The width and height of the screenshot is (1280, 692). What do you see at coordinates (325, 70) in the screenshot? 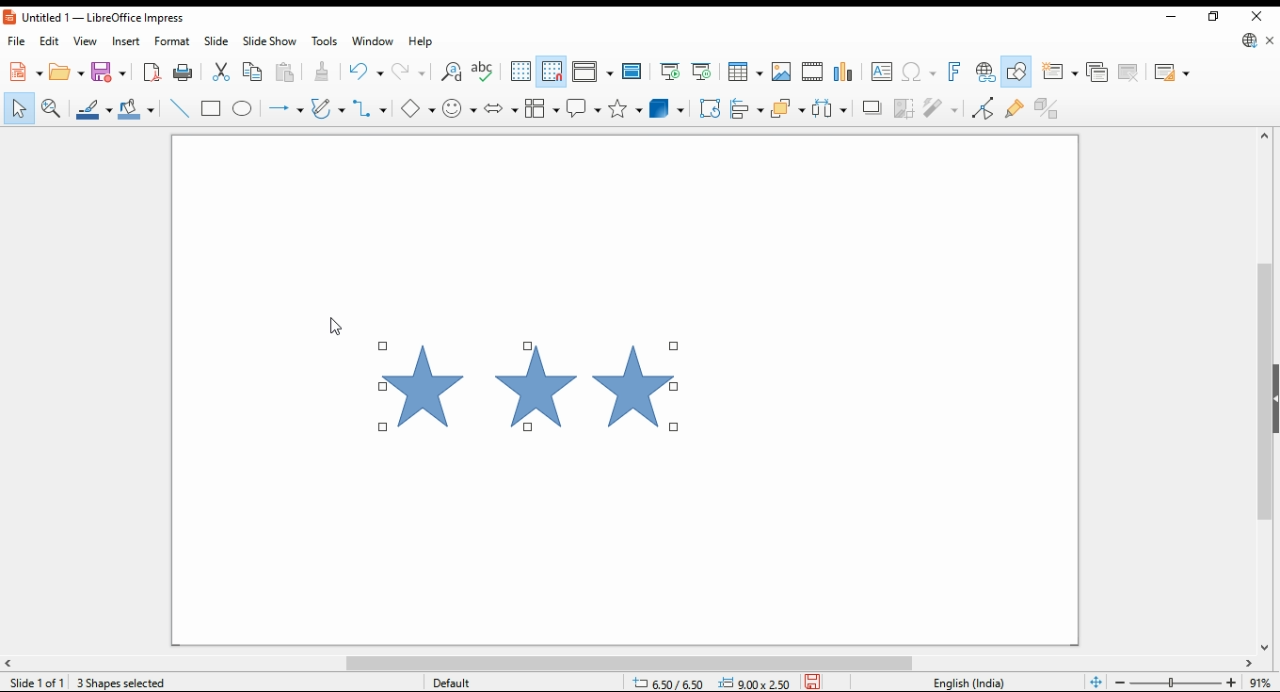
I see `paste` at bounding box center [325, 70].